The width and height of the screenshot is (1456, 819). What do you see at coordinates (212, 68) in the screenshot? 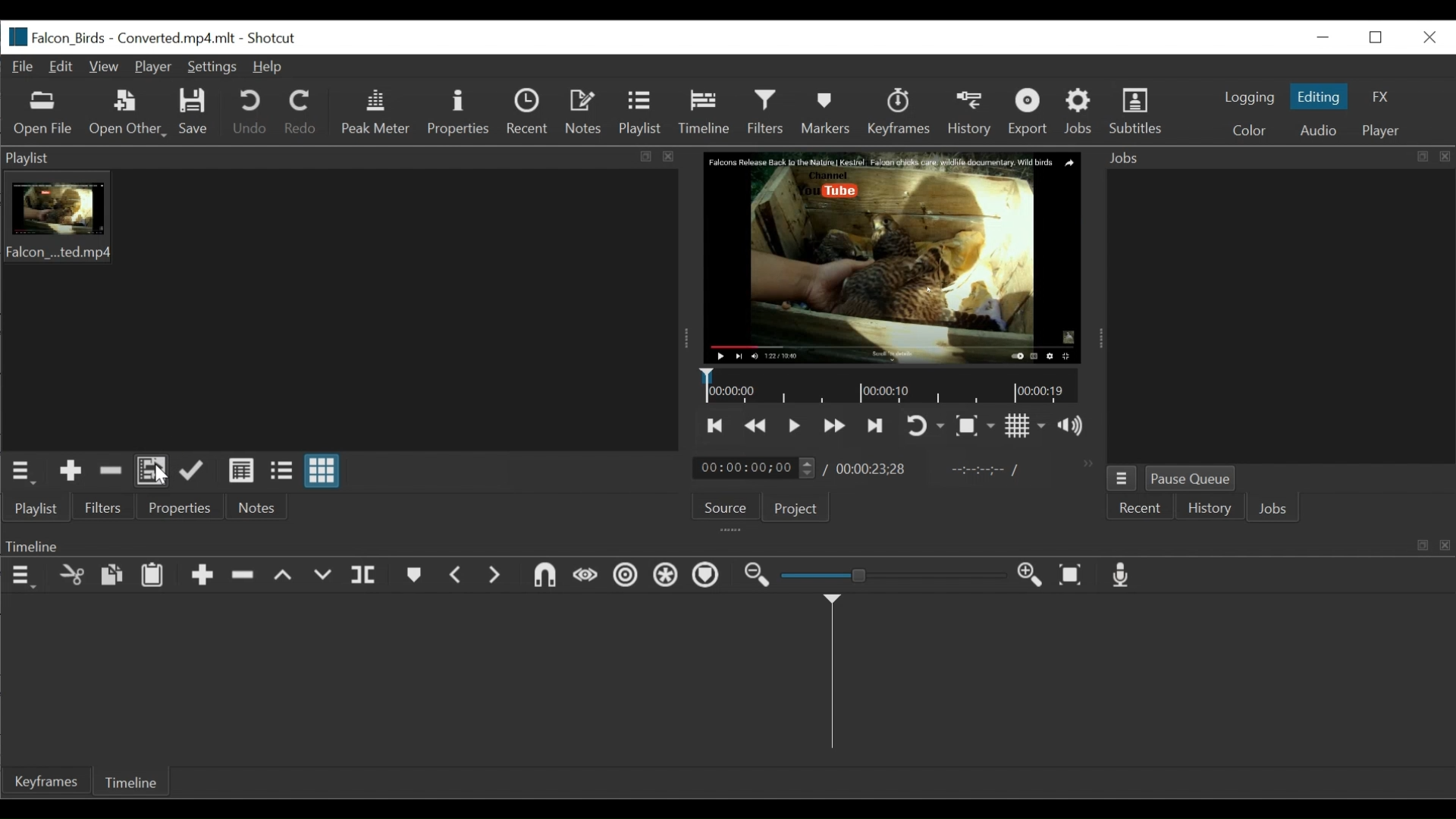
I see `Settings` at bounding box center [212, 68].